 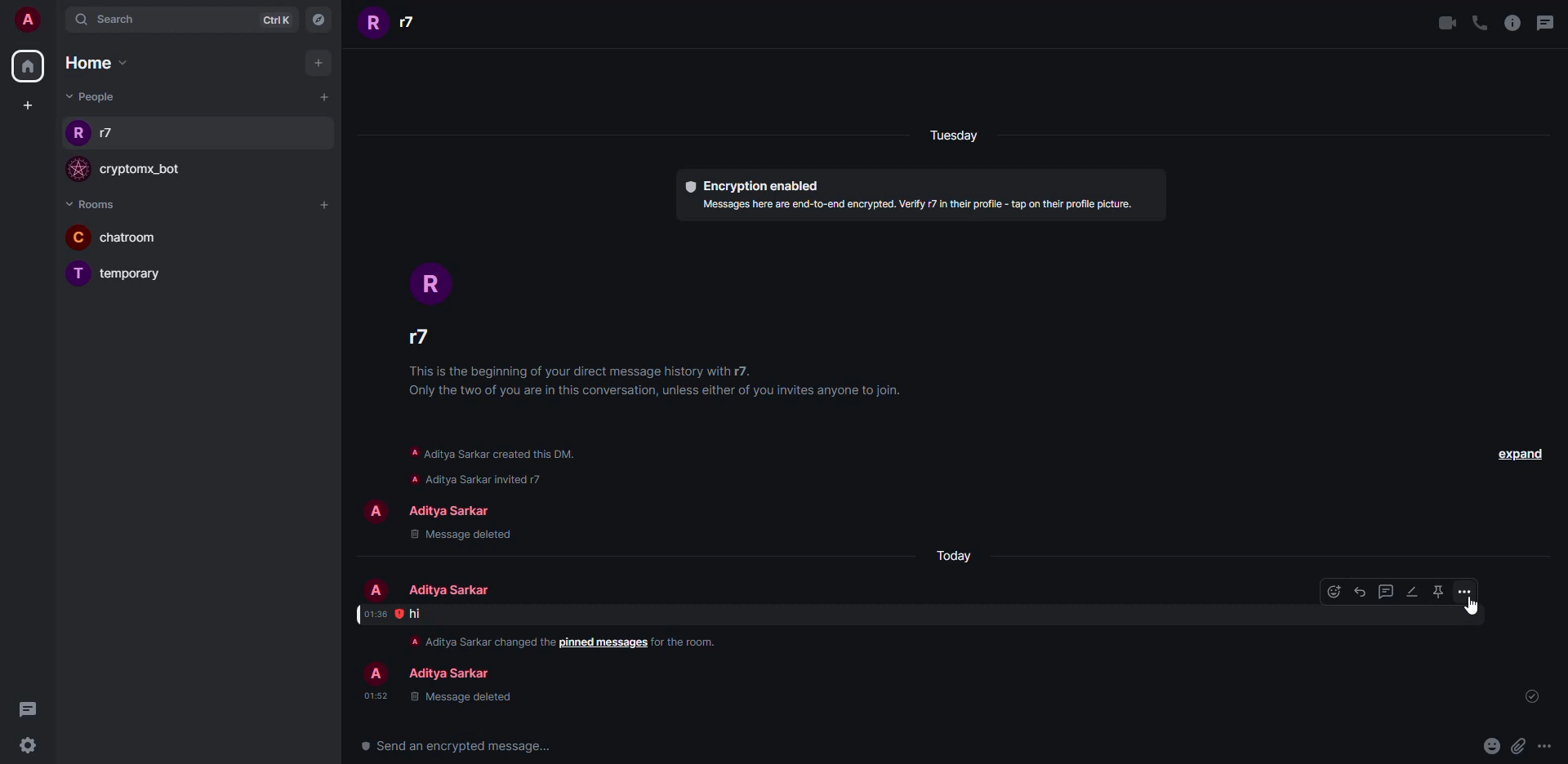 I want to click on search, so click(x=114, y=19).